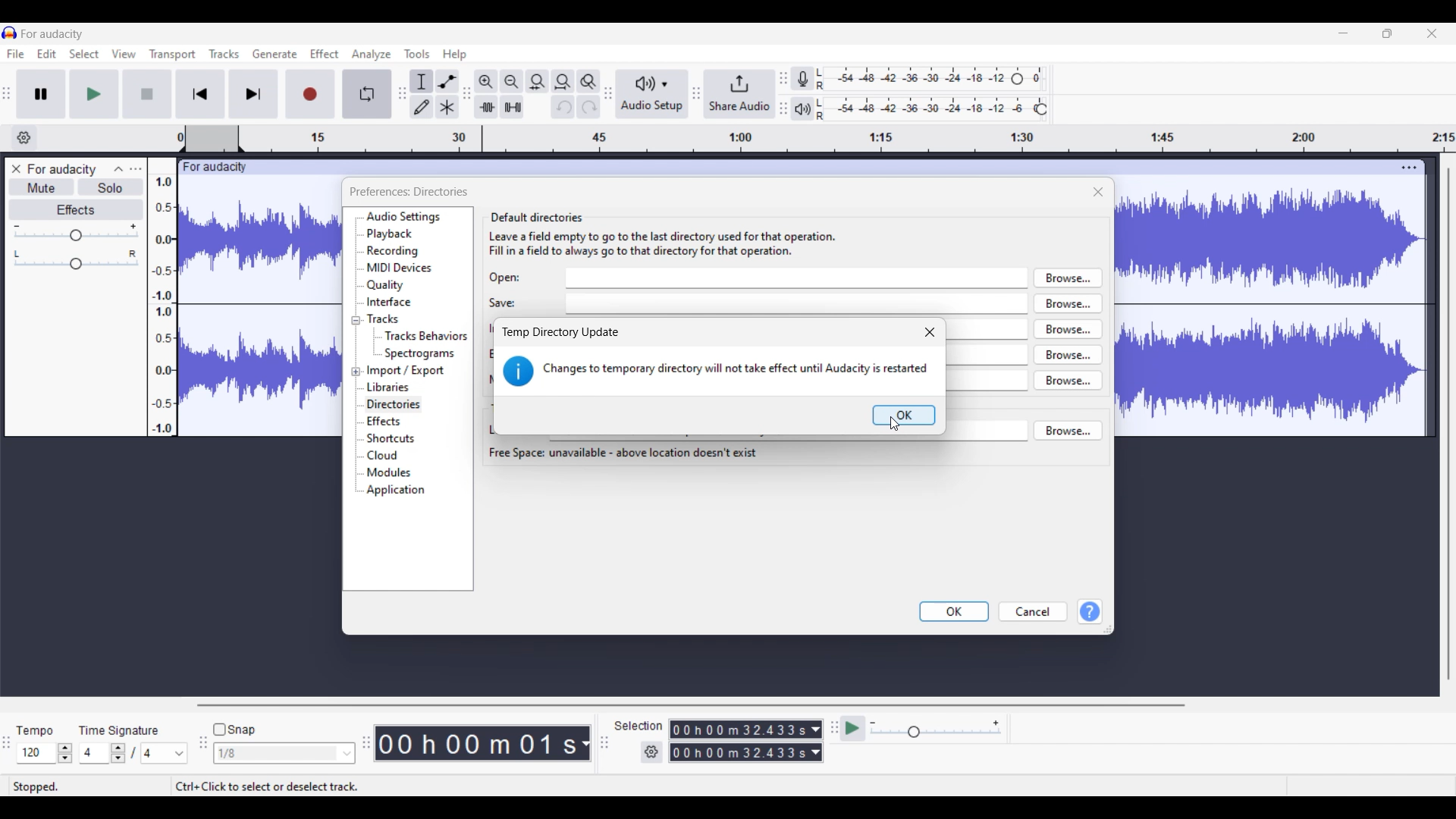  What do you see at coordinates (110, 187) in the screenshot?
I see `Solo` at bounding box center [110, 187].